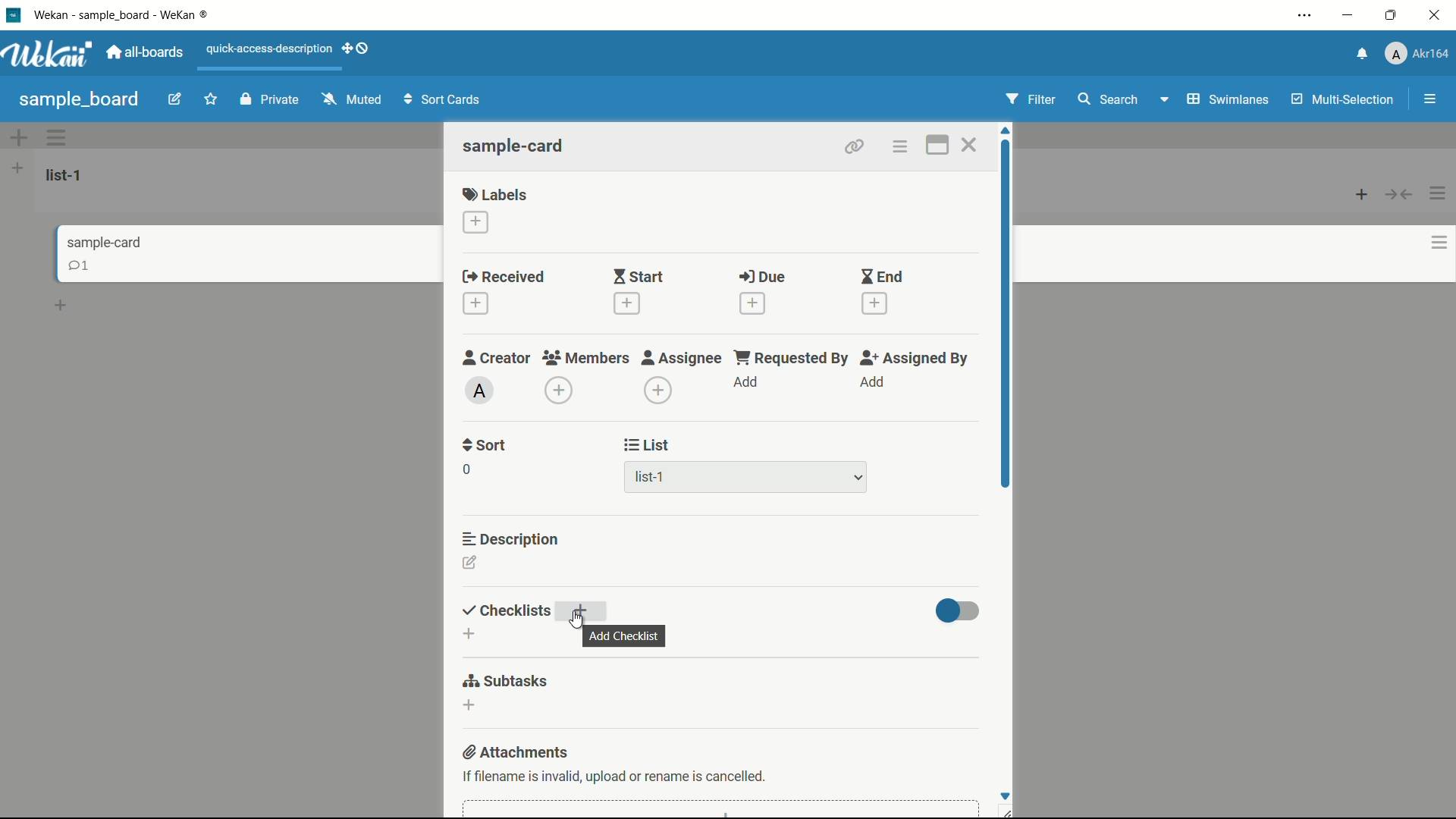  What do you see at coordinates (971, 145) in the screenshot?
I see `close card` at bounding box center [971, 145].